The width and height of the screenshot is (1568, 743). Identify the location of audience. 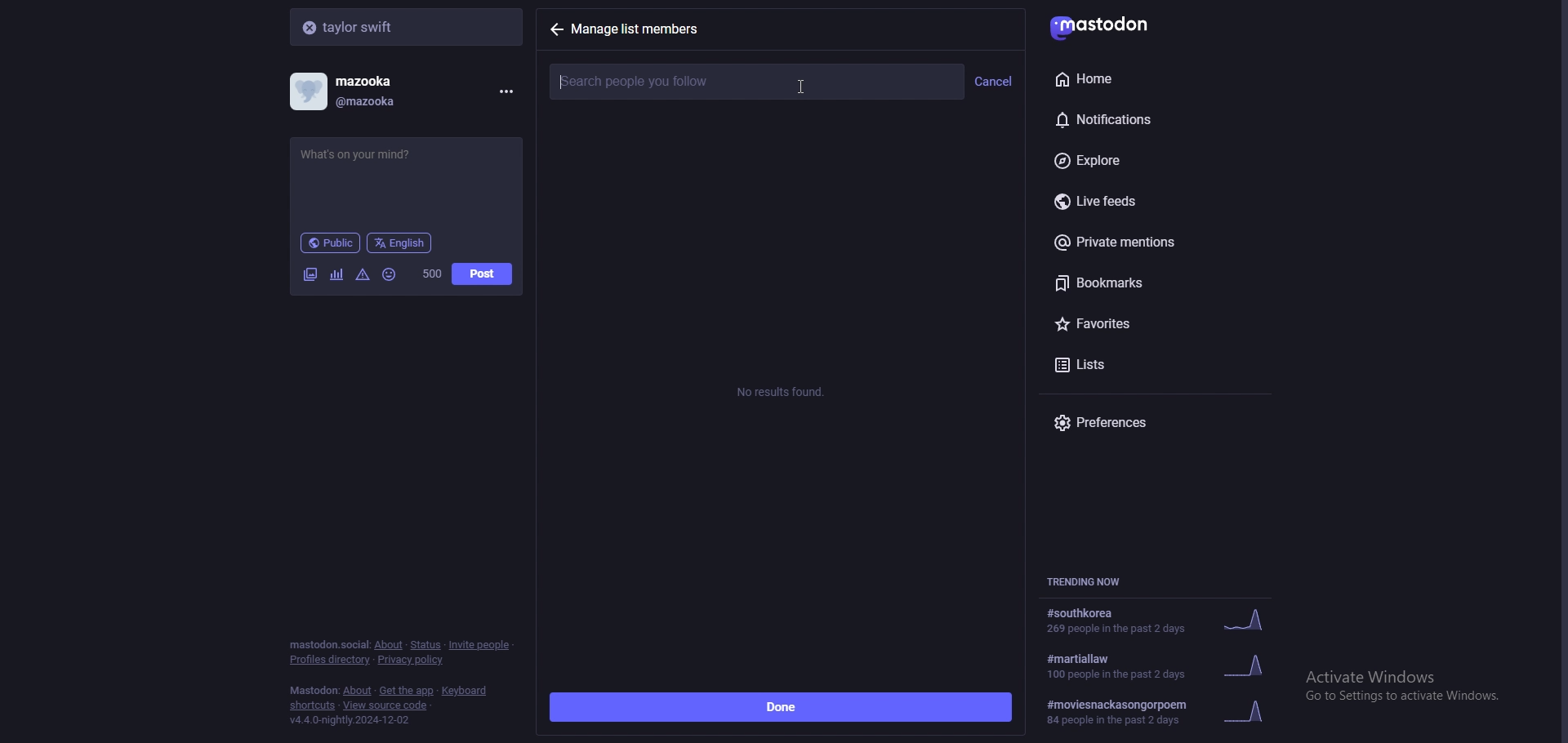
(330, 242).